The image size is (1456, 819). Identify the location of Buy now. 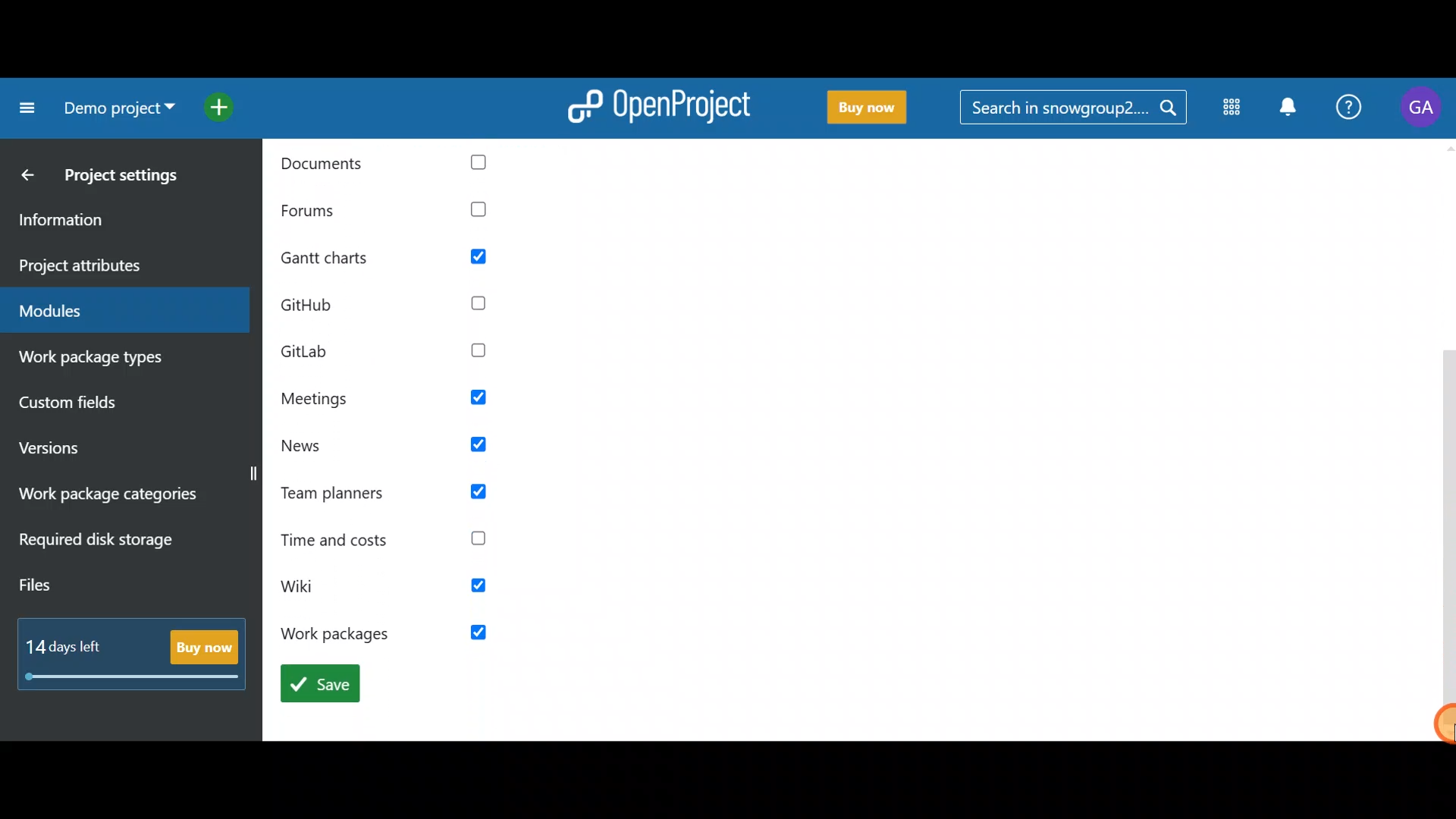
(870, 110).